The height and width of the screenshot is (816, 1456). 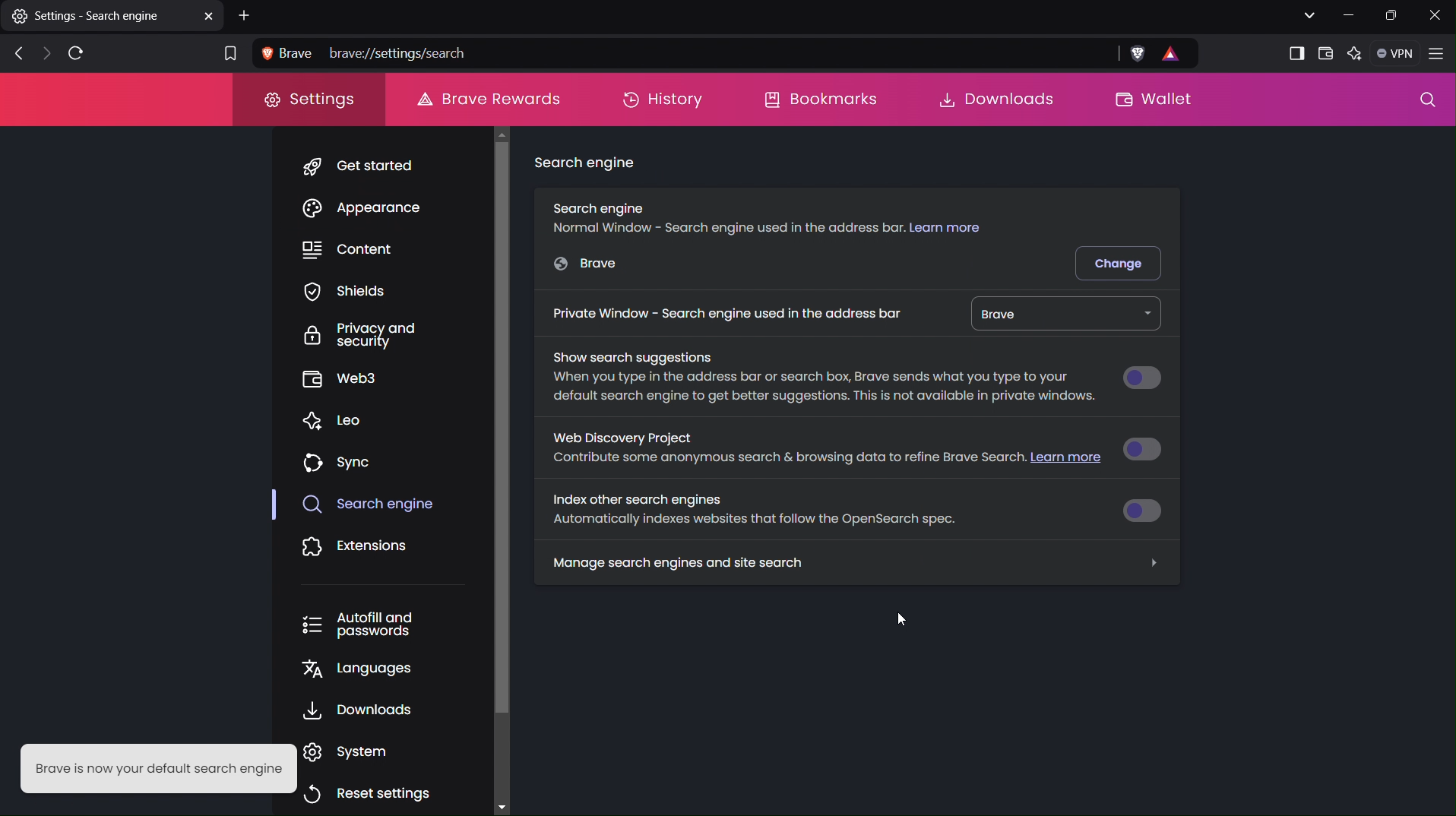 What do you see at coordinates (340, 419) in the screenshot?
I see `Leo` at bounding box center [340, 419].